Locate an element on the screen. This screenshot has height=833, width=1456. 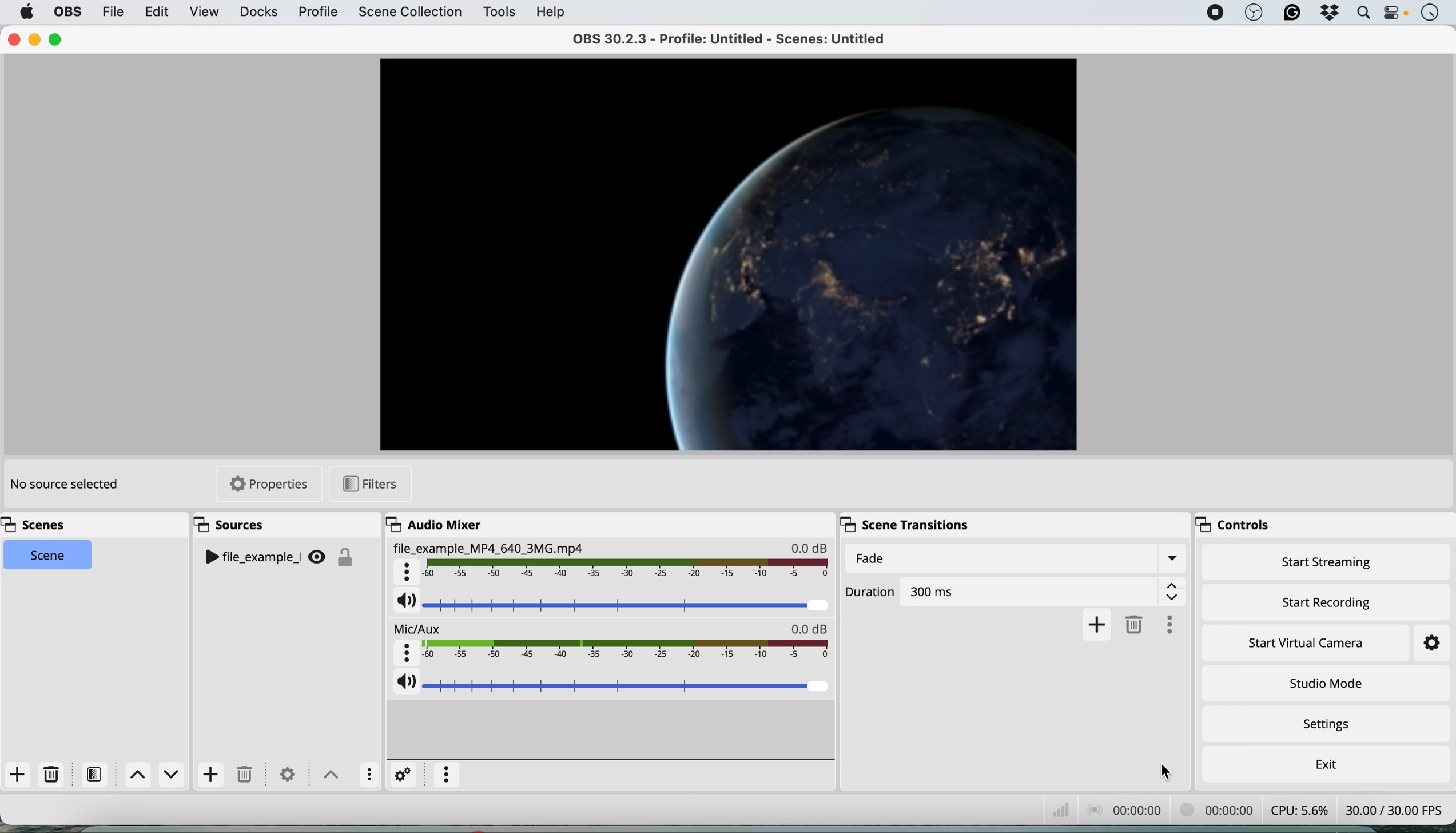
current source is located at coordinates (724, 252).